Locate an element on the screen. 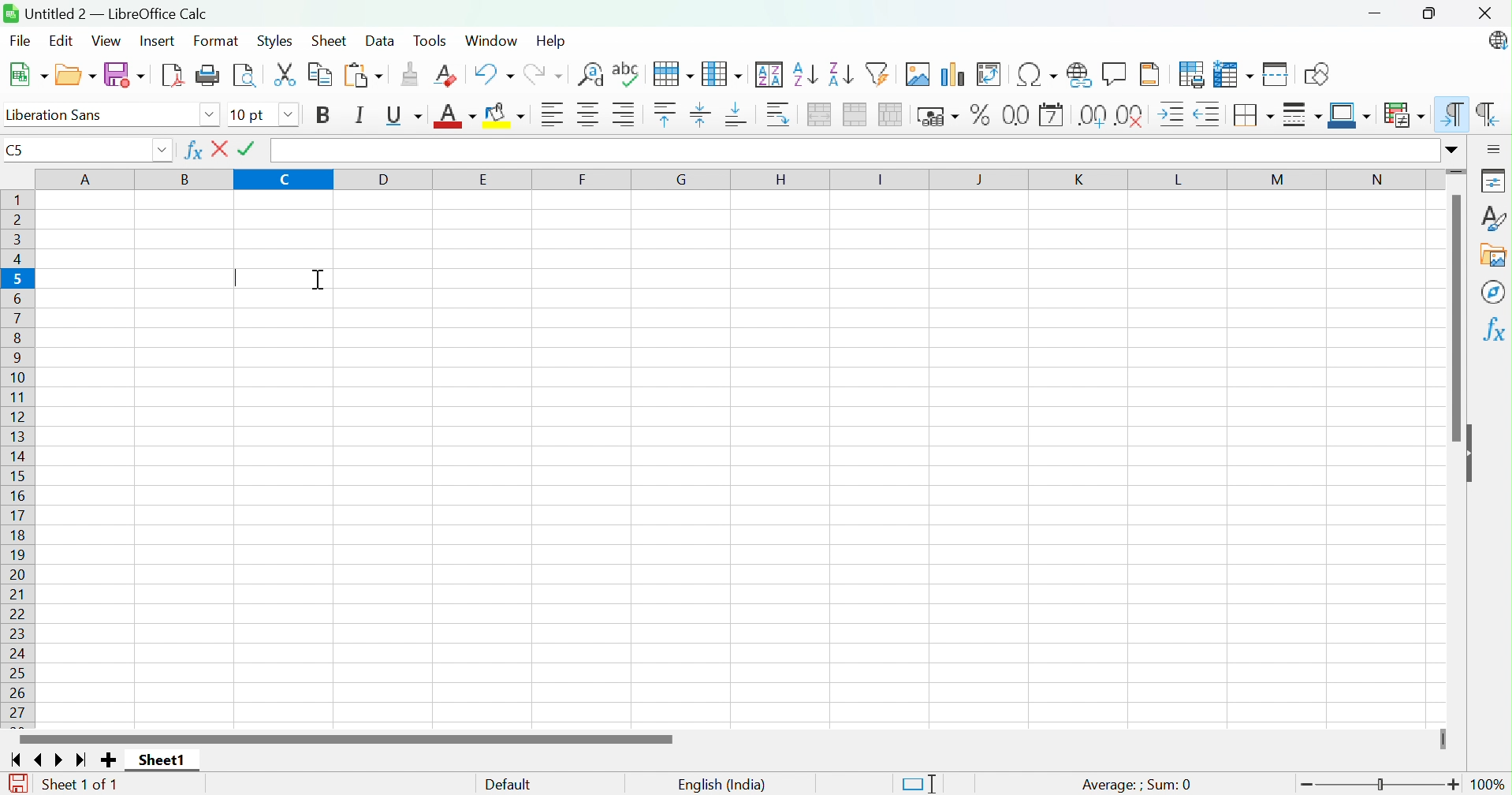  Hide is located at coordinates (1473, 455).